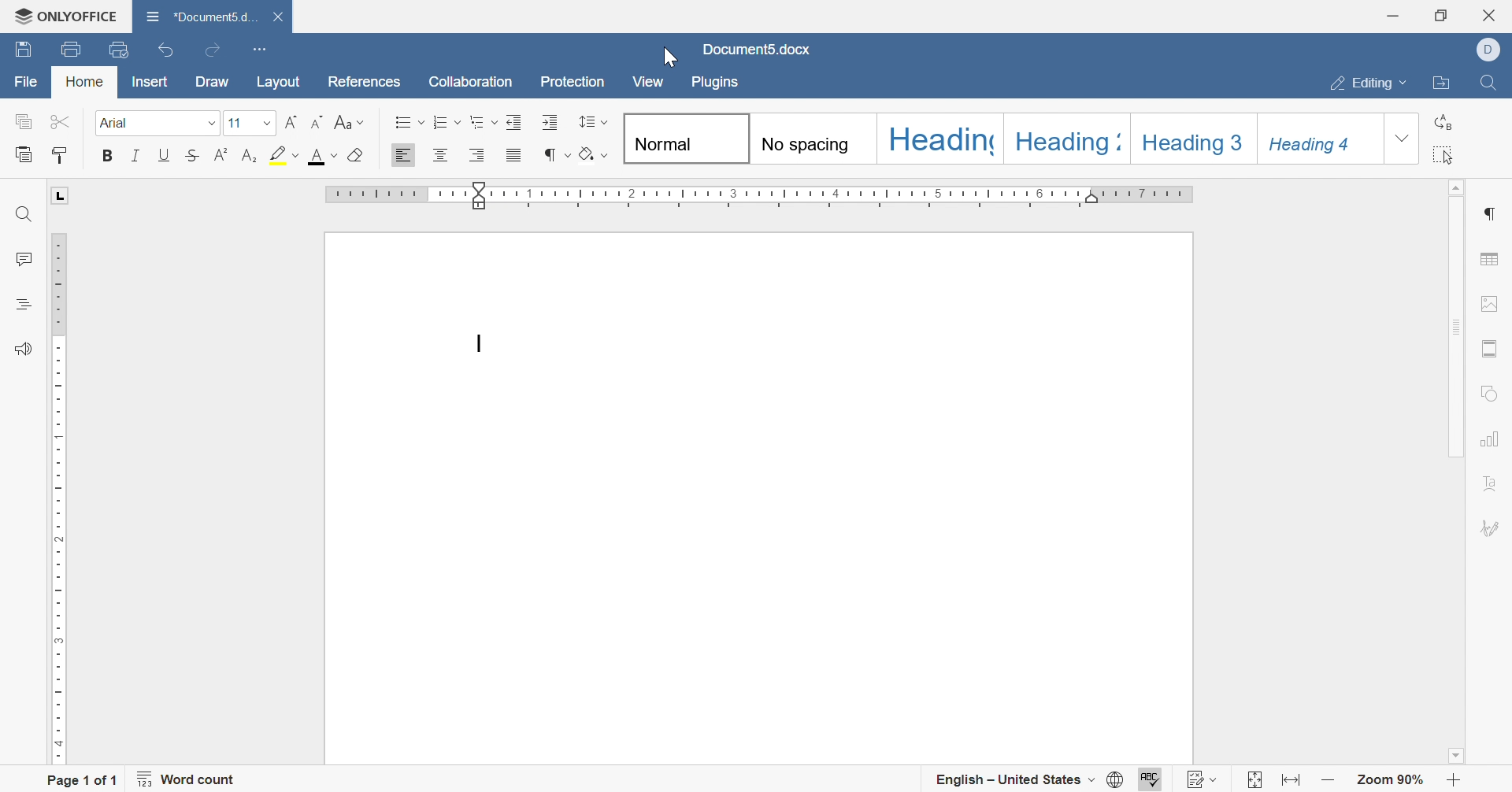 The width and height of the screenshot is (1512, 792). What do you see at coordinates (572, 81) in the screenshot?
I see `protection` at bounding box center [572, 81].